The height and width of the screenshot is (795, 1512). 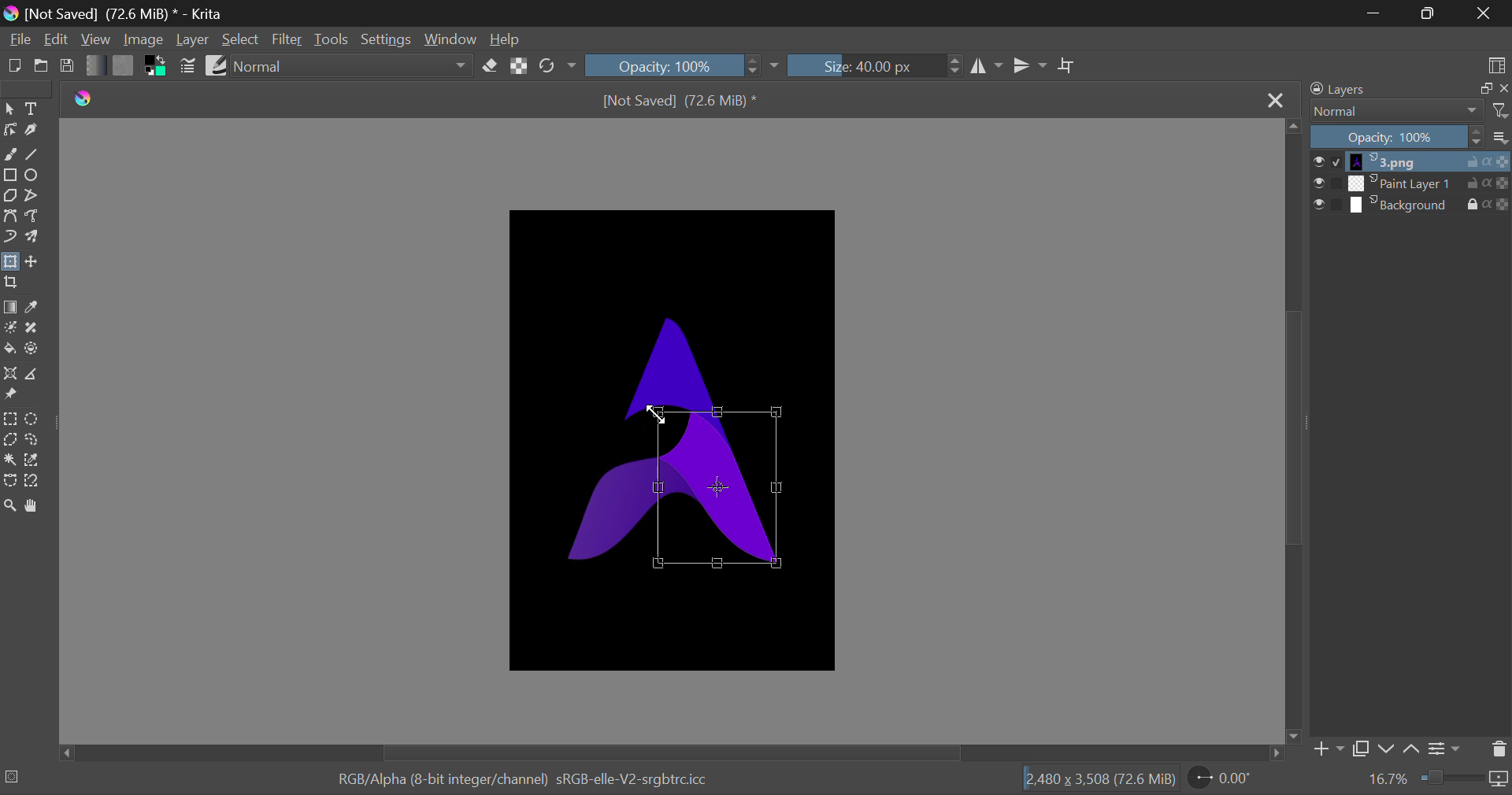 What do you see at coordinates (1503, 87) in the screenshot?
I see `close` at bounding box center [1503, 87].